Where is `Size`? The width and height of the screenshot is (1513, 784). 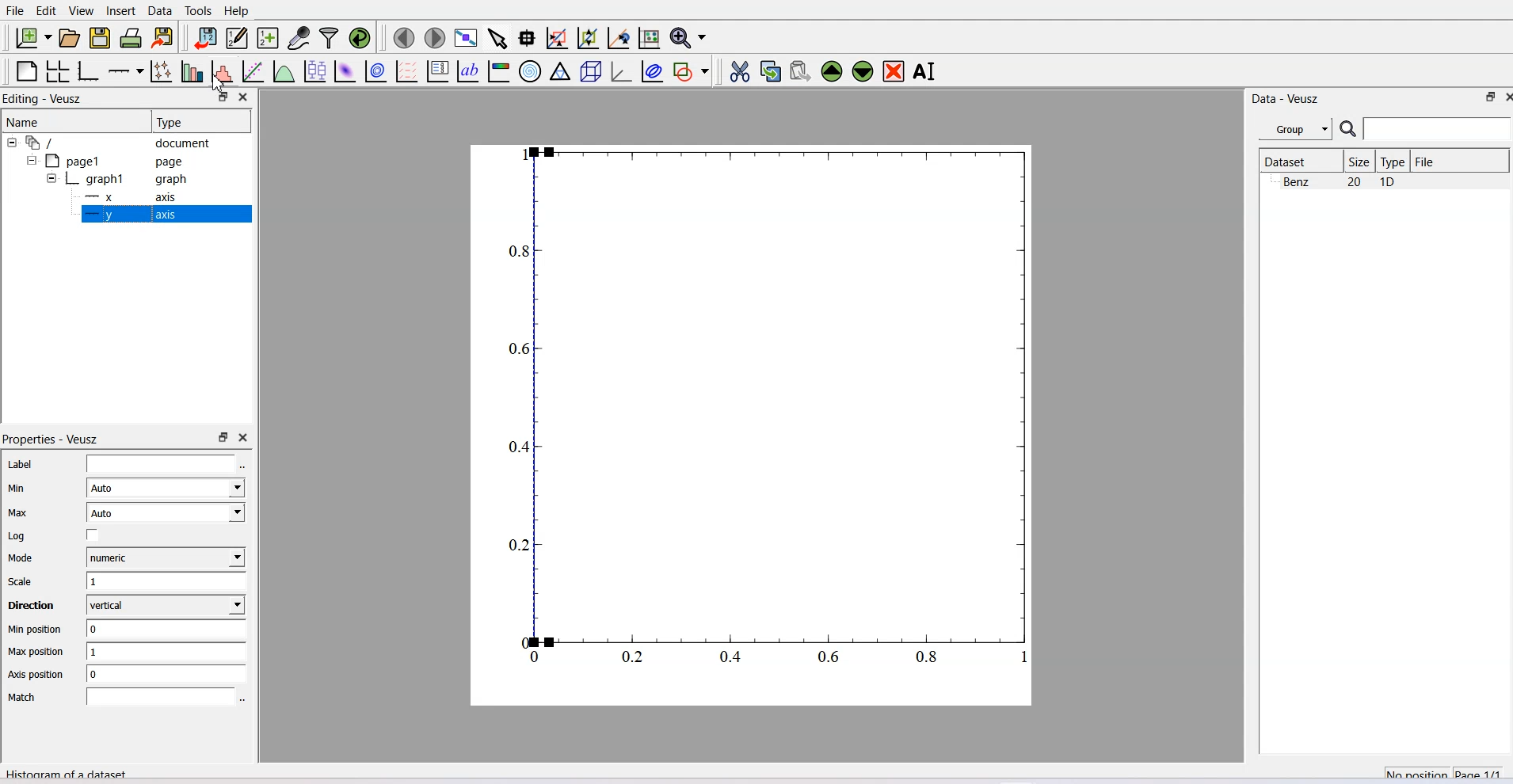 Size is located at coordinates (1360, 161).